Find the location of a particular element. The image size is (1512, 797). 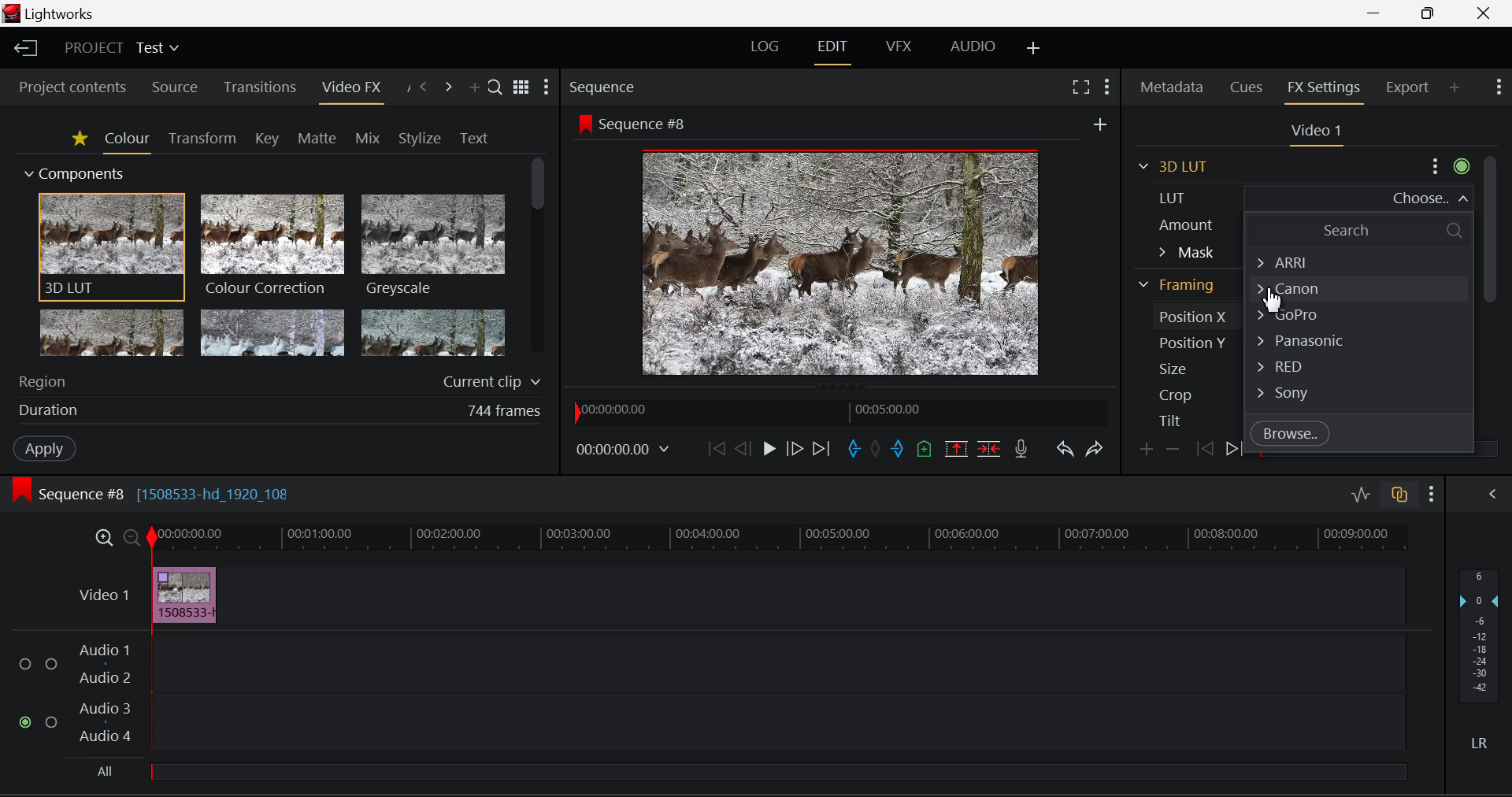

Scroll Bar is located at coordinates (1492, 289).